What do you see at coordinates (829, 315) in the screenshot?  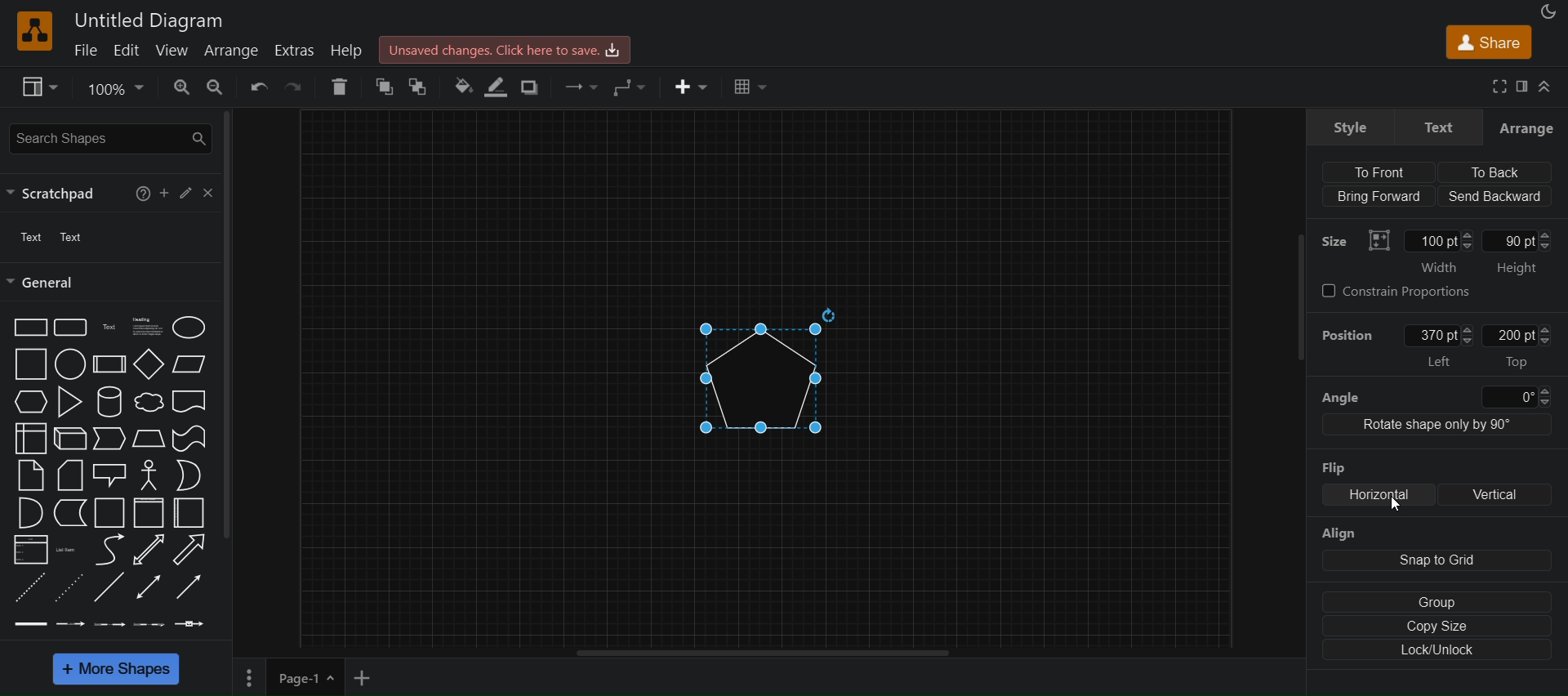 I see `Rotate` at bounding box center [829, 315].